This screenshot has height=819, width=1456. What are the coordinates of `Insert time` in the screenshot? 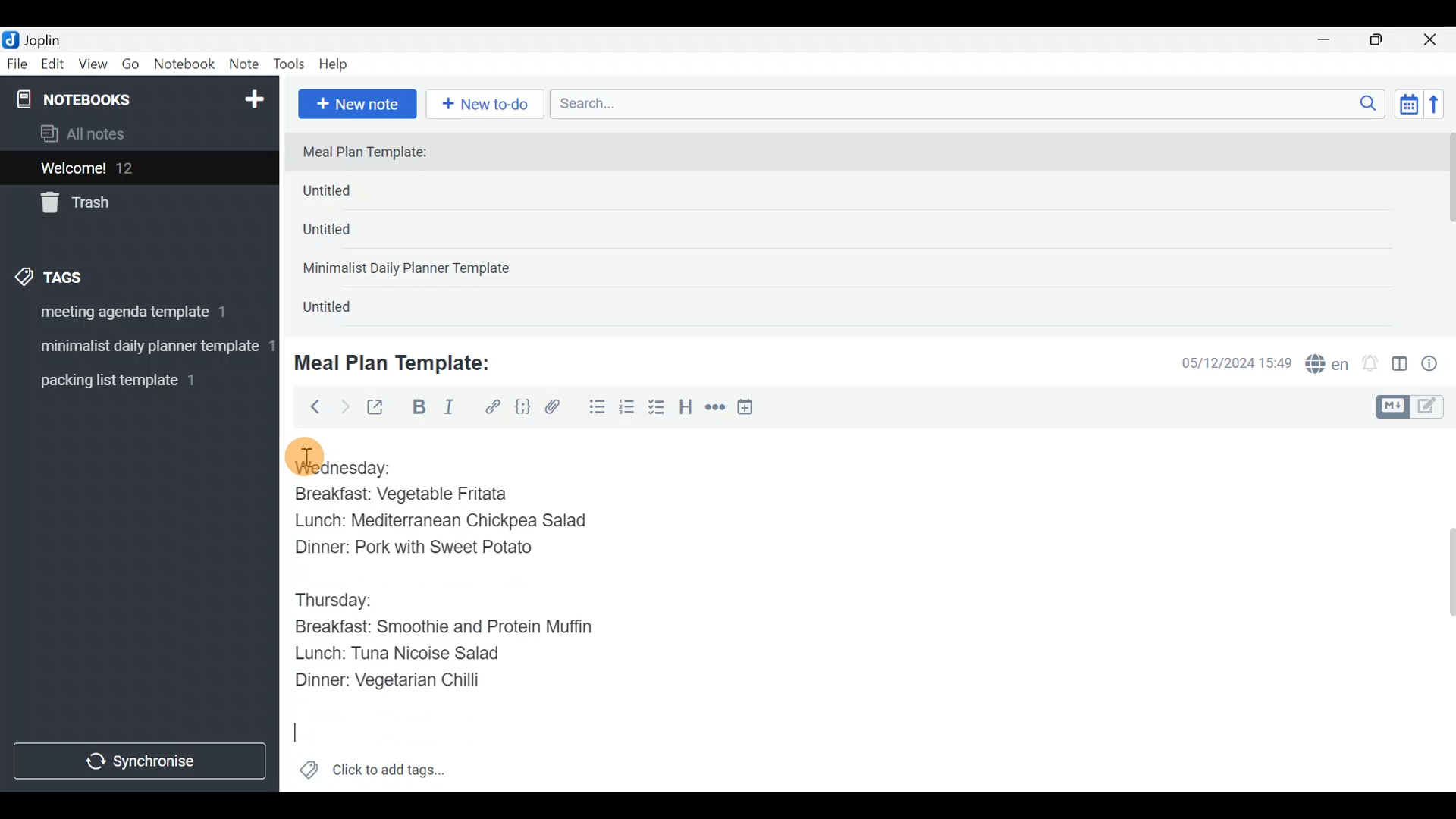 It's located at (752, 409).